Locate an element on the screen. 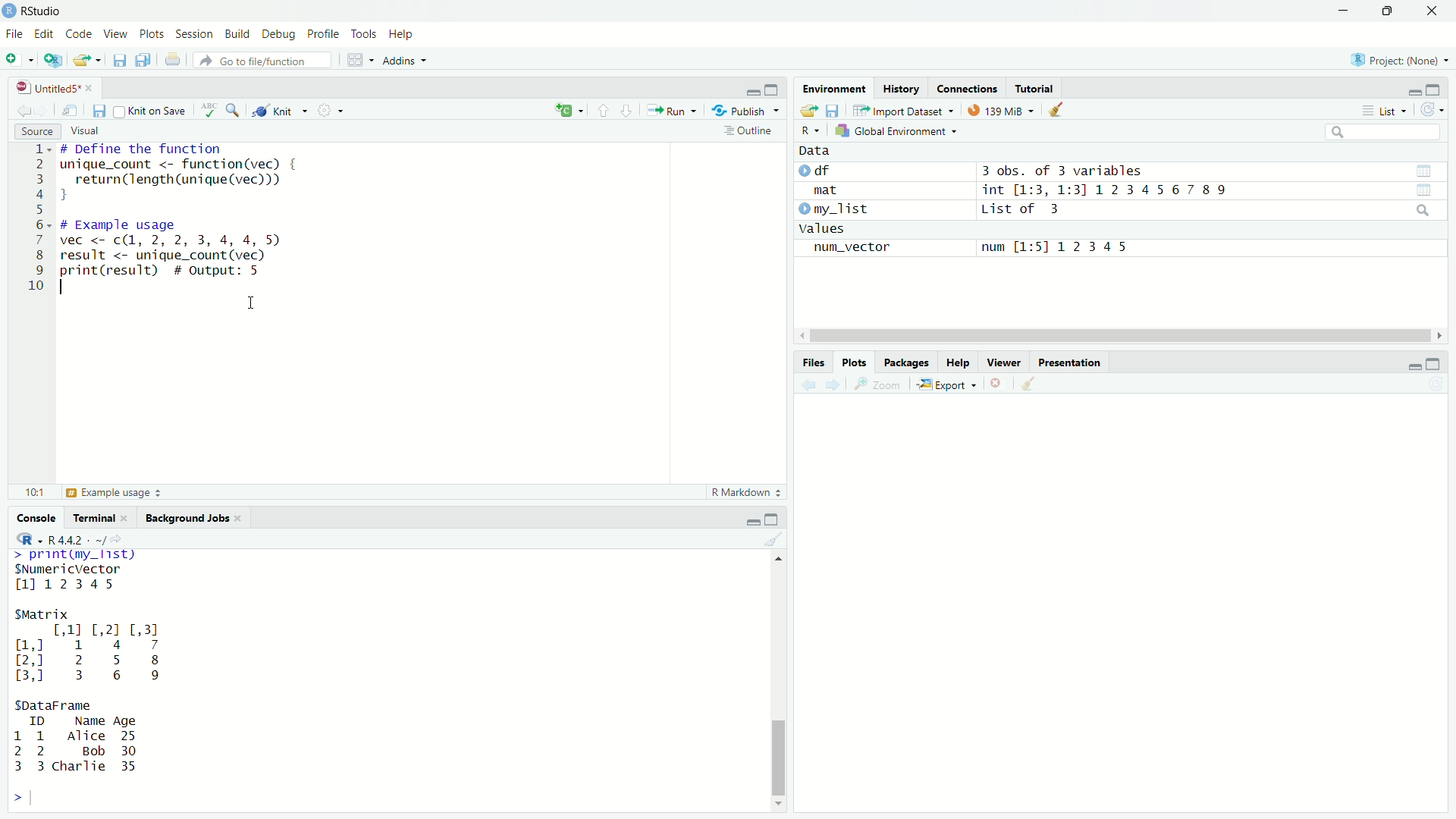 The width and height of the screenshot is (1456, 819). outline is located at coordinates (752, 131).